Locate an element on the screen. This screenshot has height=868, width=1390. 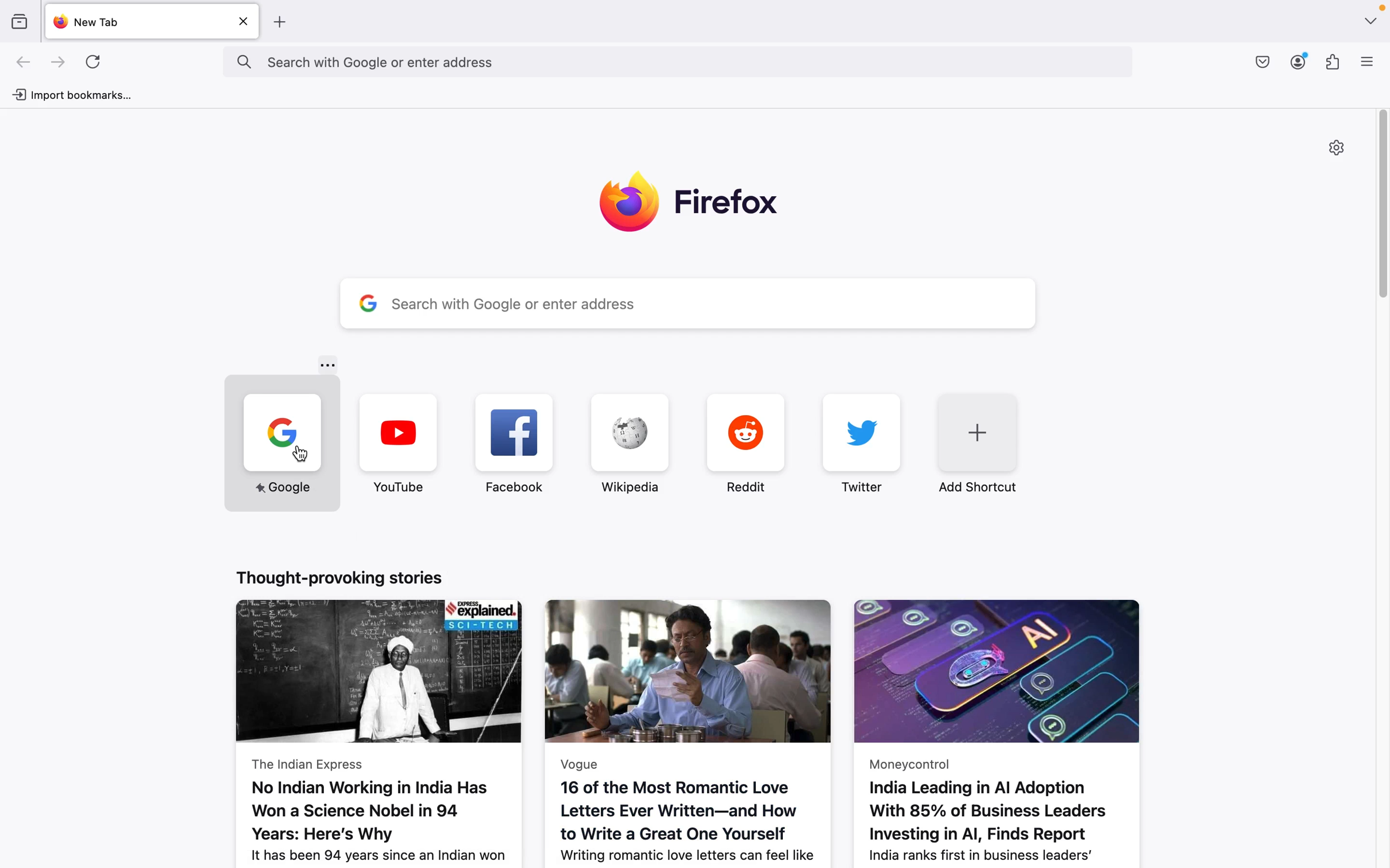
add ons/extensions is located at coordinates (1336, 63).